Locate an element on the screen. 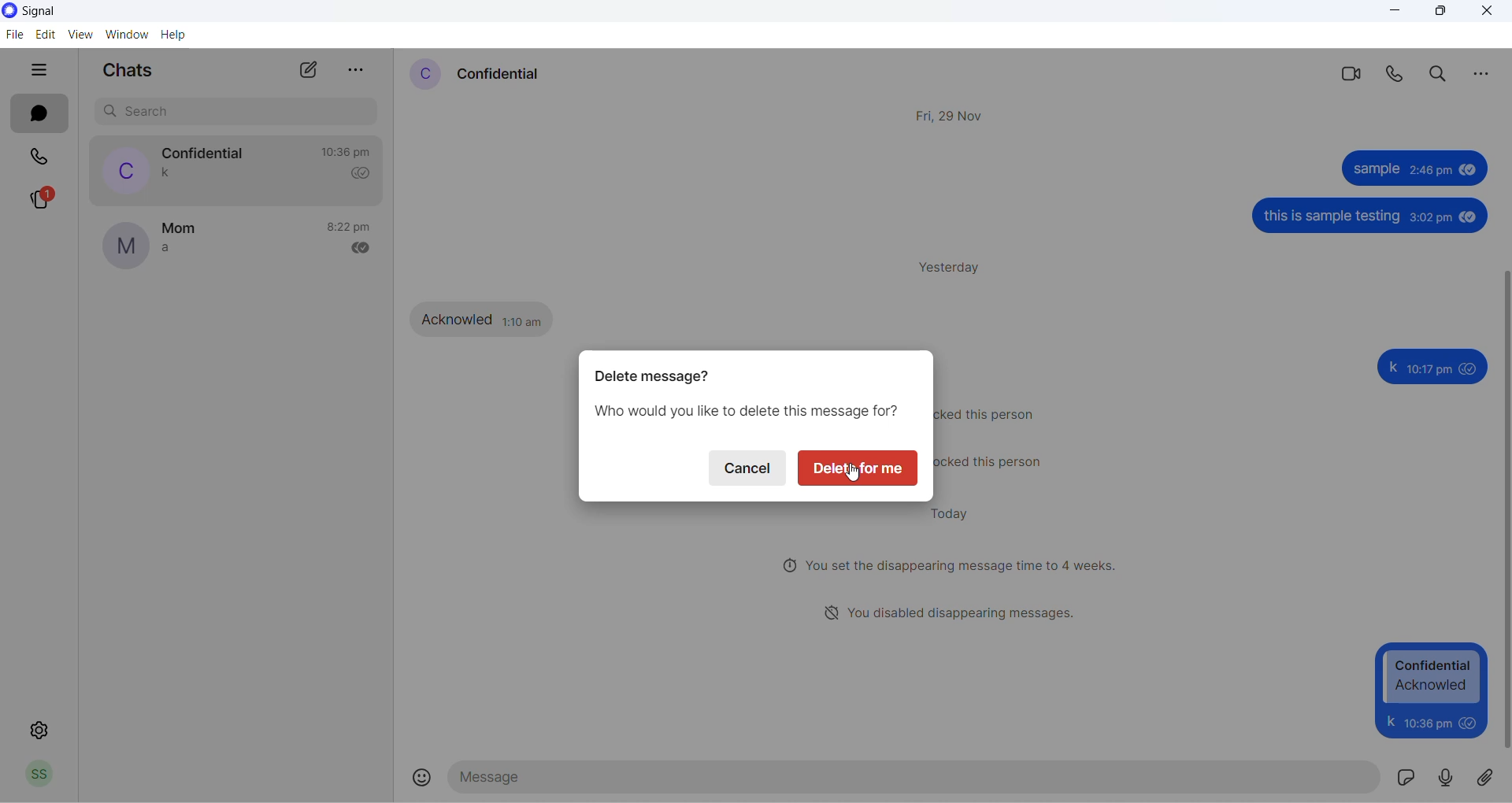 The height and width of the screenshot is (803, 1512). last message is located at coordinates (171, 174).